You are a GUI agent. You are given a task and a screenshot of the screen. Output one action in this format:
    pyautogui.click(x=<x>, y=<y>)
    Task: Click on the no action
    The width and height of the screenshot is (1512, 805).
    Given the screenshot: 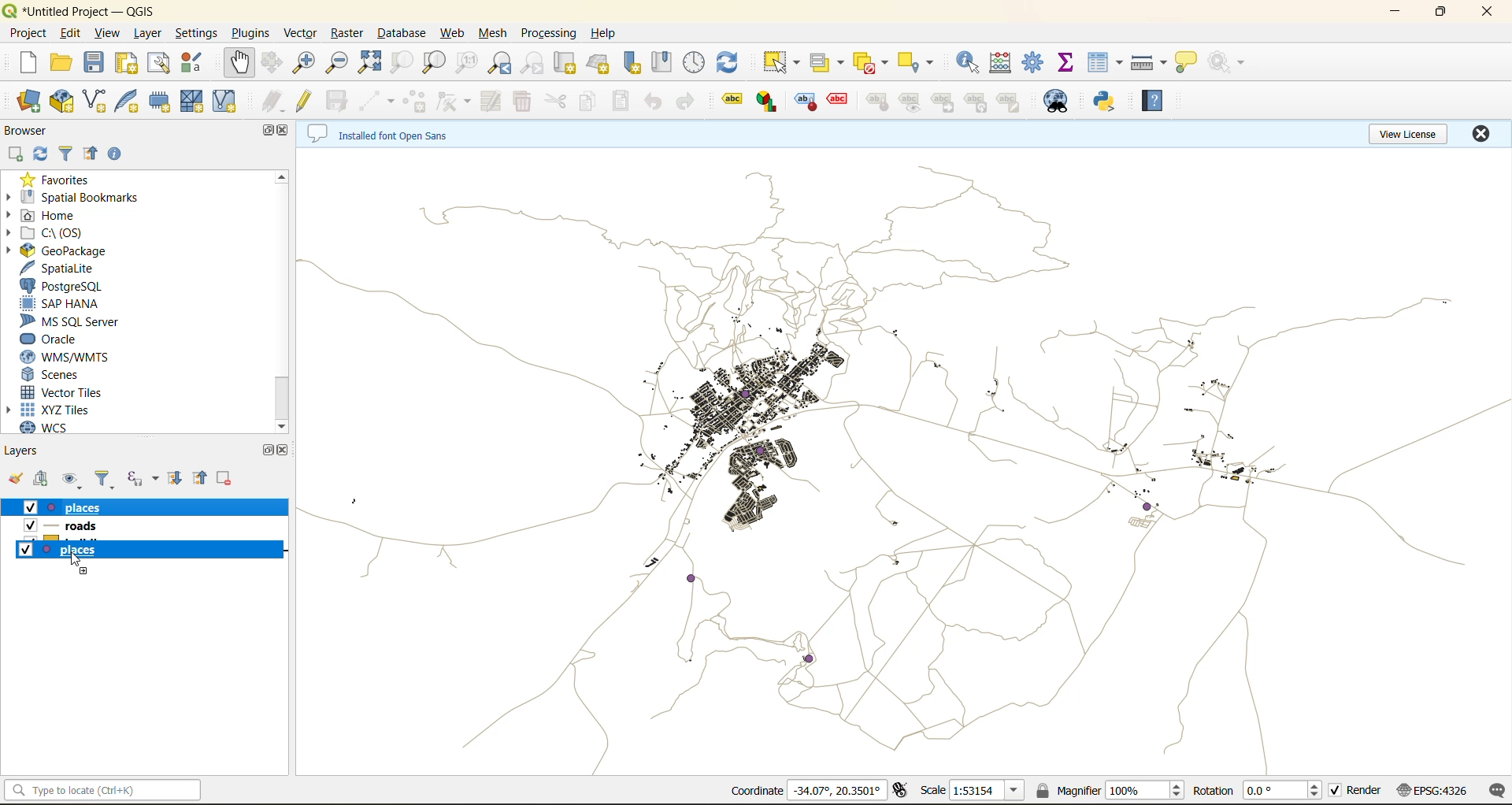 What is the action you would take?
    pyautogui.click(x=1228, y=62)
    